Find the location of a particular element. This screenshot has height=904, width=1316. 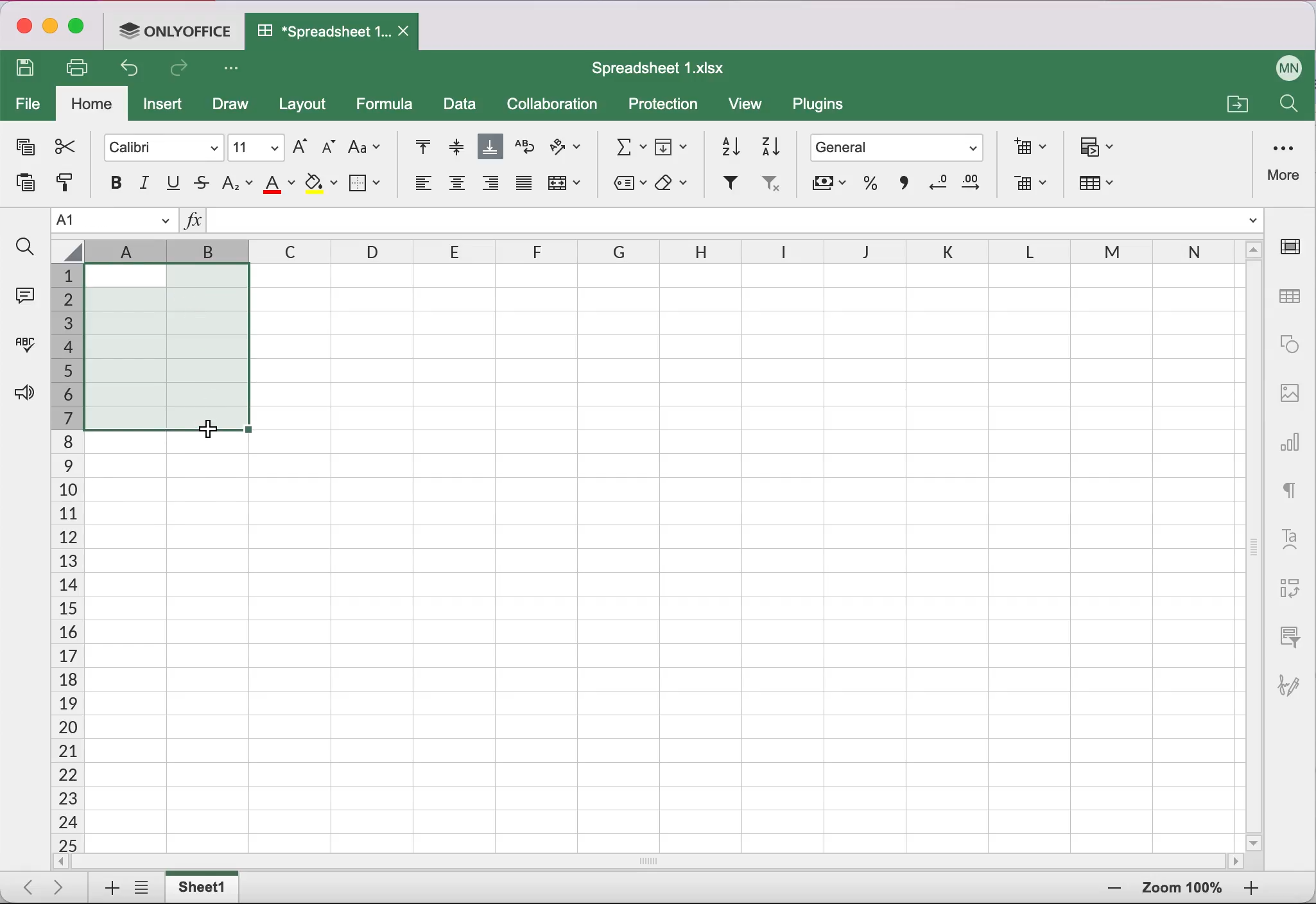

fill is located at coordinates (673, 144).